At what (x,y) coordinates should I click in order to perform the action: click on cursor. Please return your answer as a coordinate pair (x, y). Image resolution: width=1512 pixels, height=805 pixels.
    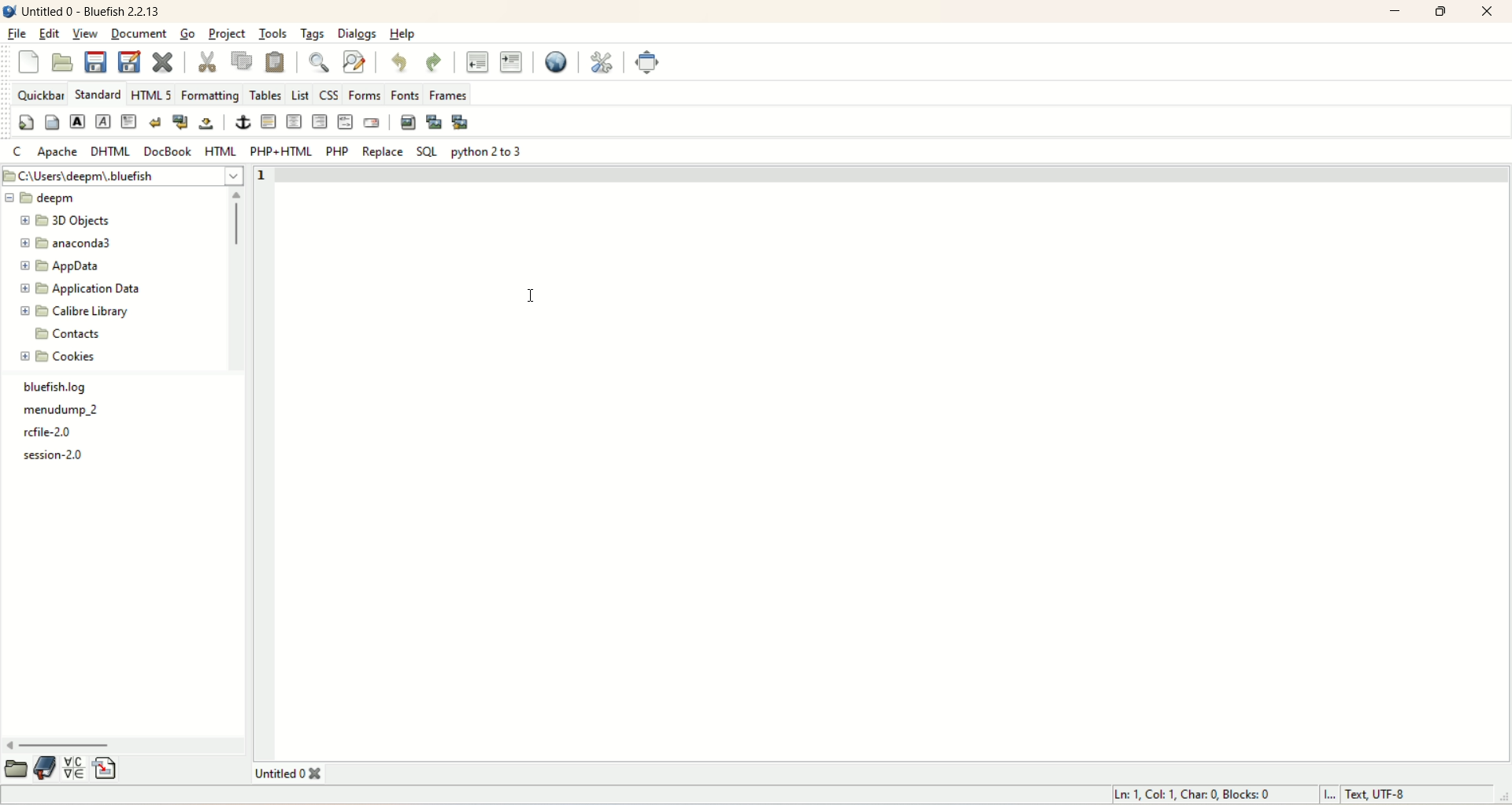
    Looking at the image, I should click on (536, 295).